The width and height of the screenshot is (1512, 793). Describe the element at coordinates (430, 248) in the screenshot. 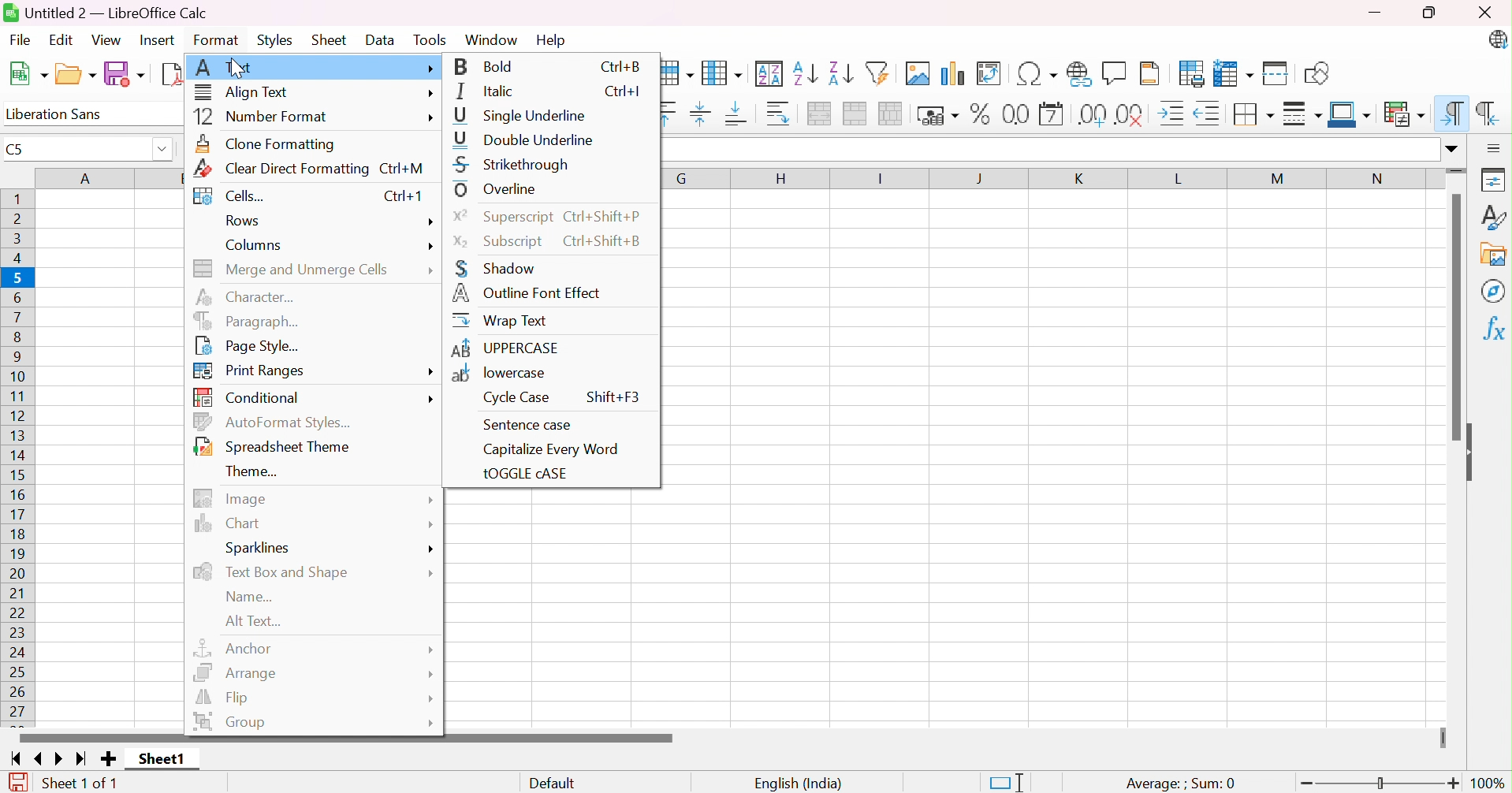

I see `more` at that location.